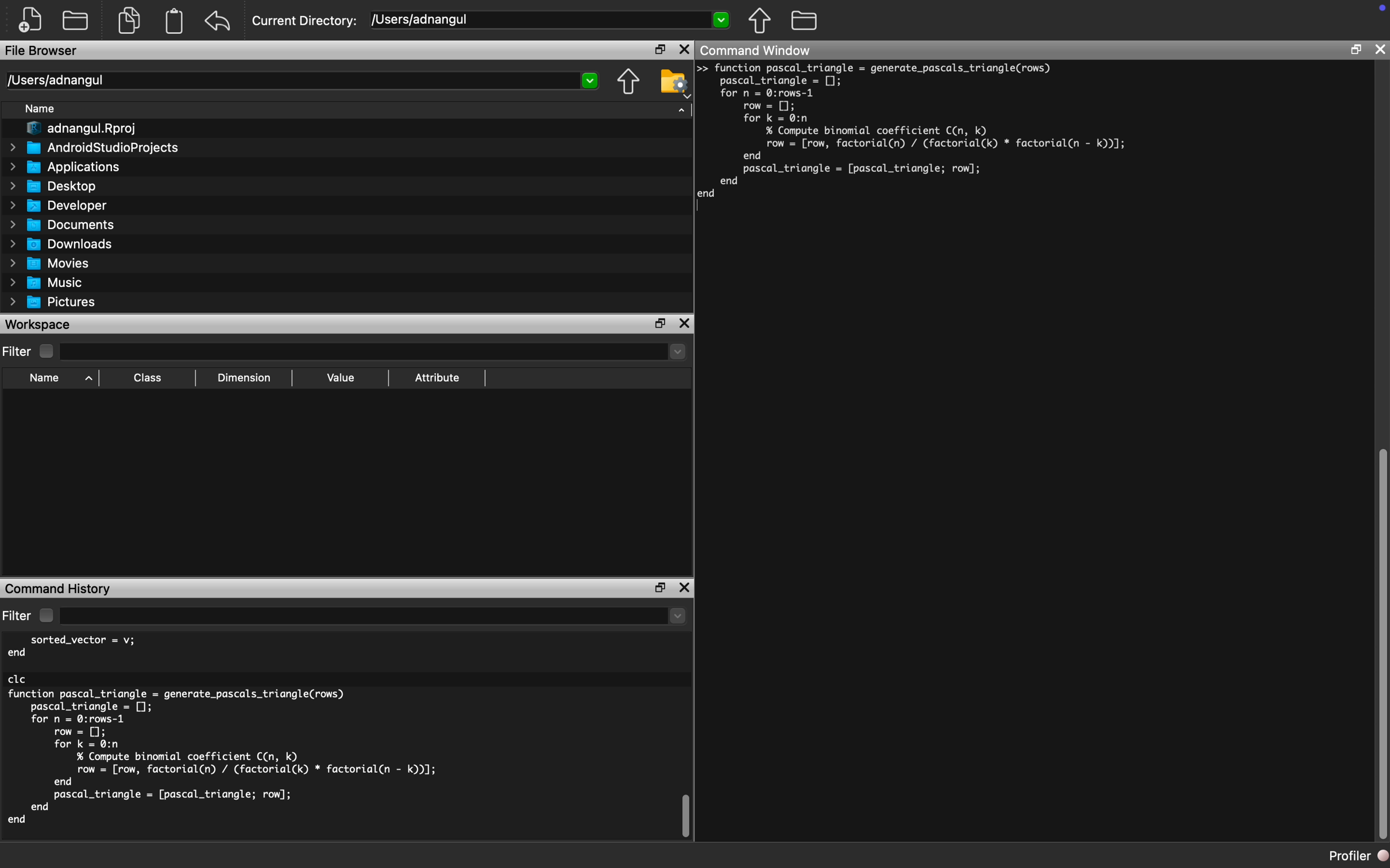 The width and height of the screenshot is (1390, 868). I want to click on Value, so click(339, 378).